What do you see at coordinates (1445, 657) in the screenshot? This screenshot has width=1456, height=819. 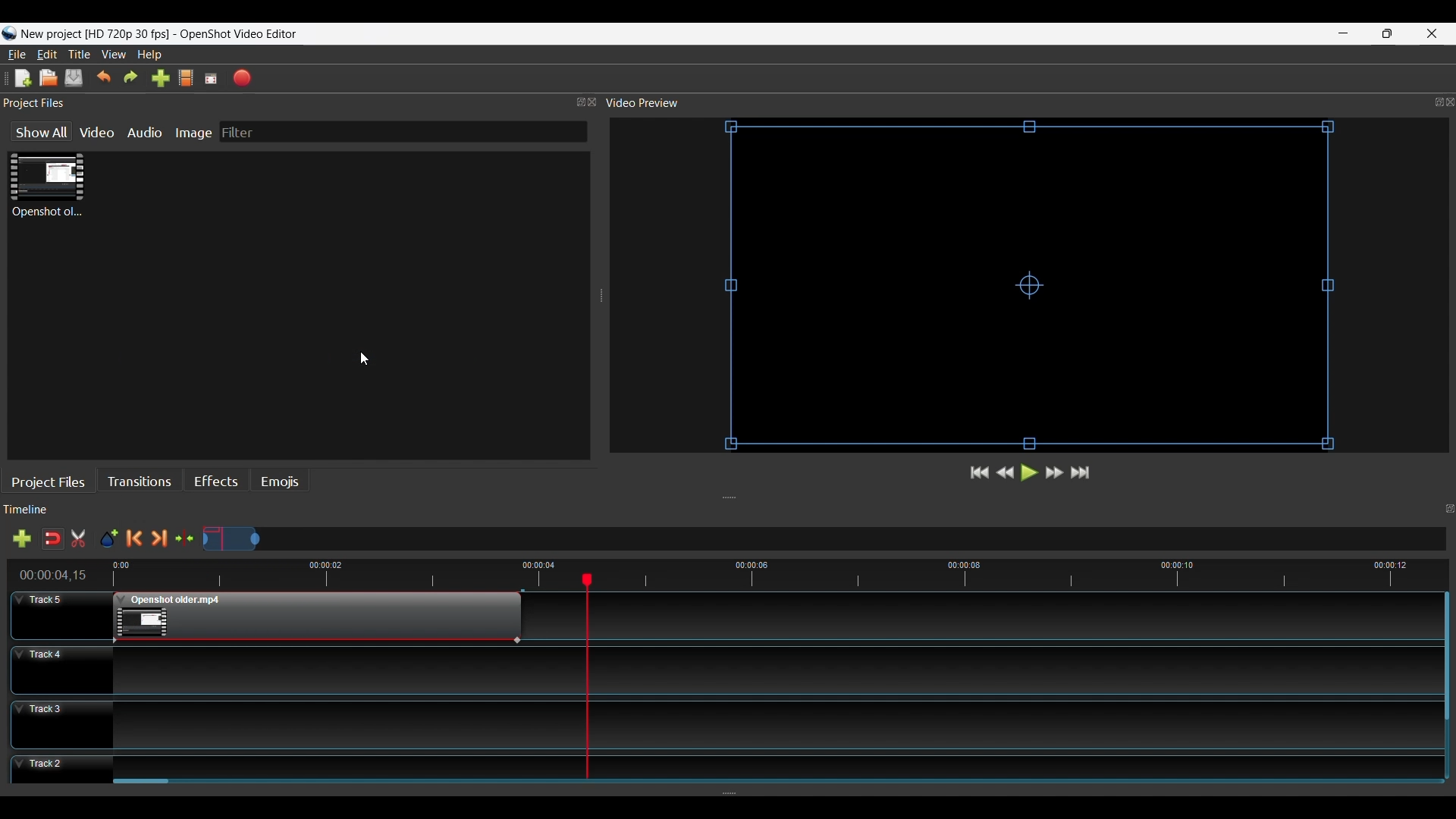 I see `Vertical Scroll bar` at bounding box center [1445, 657].